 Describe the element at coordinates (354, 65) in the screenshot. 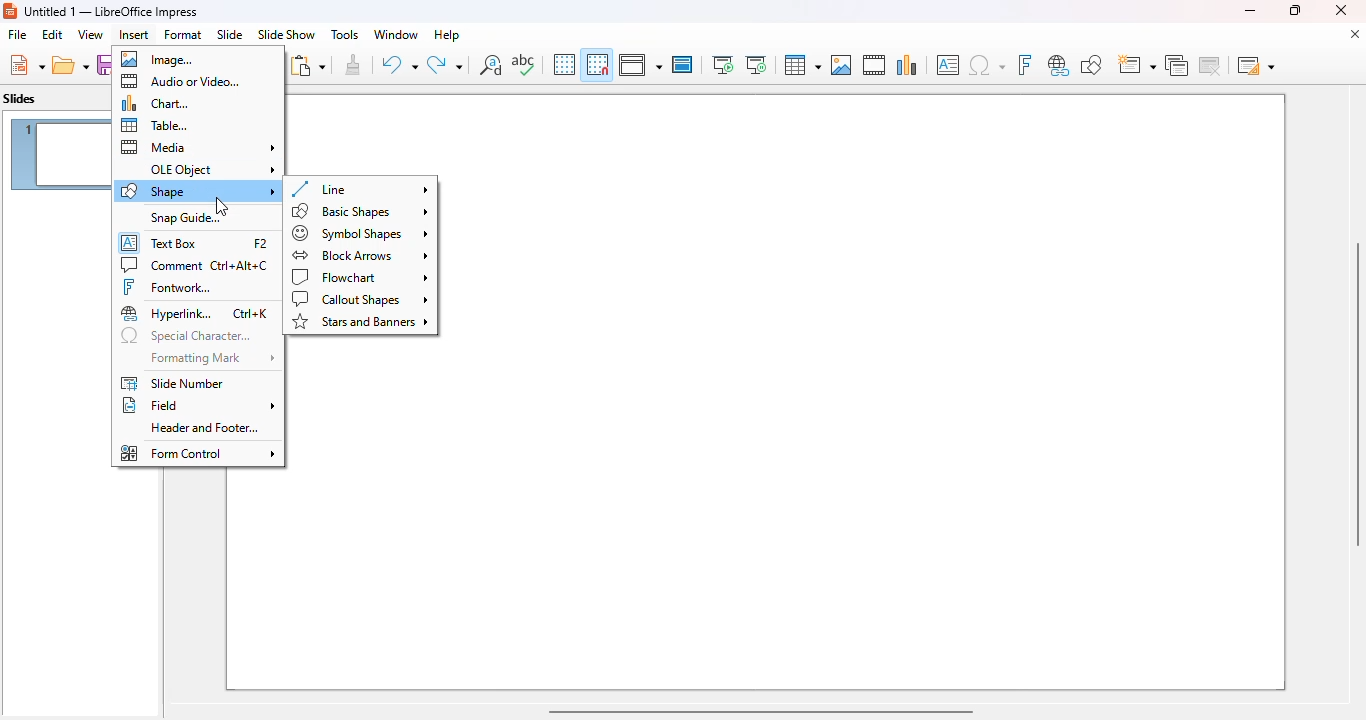

I see `clone formatting` at that location.